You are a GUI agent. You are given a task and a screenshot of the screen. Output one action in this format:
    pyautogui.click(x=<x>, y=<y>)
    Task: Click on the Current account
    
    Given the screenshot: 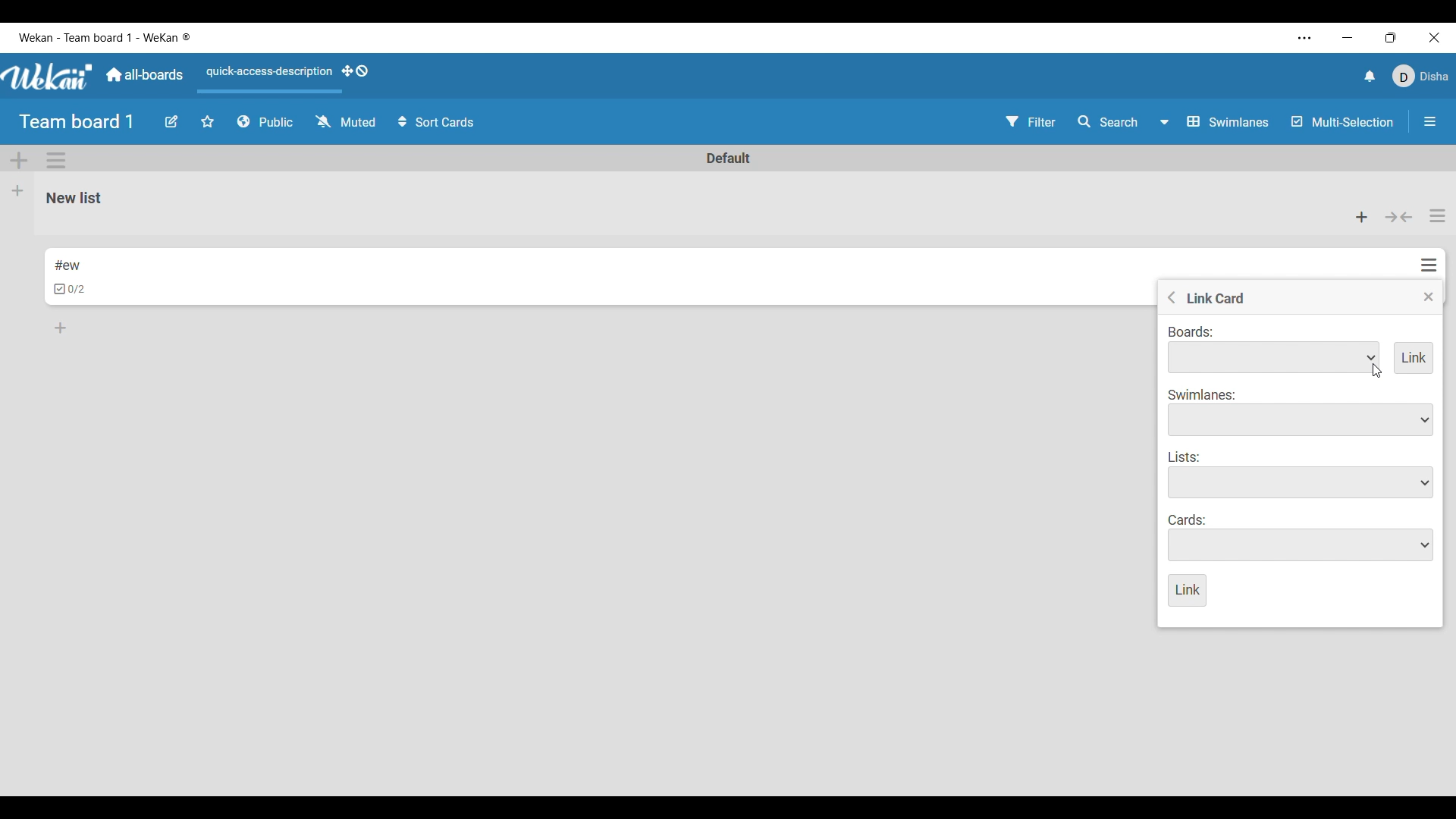 What is the action you would take?
    pyautogui.click(x=1420, y=77)
    